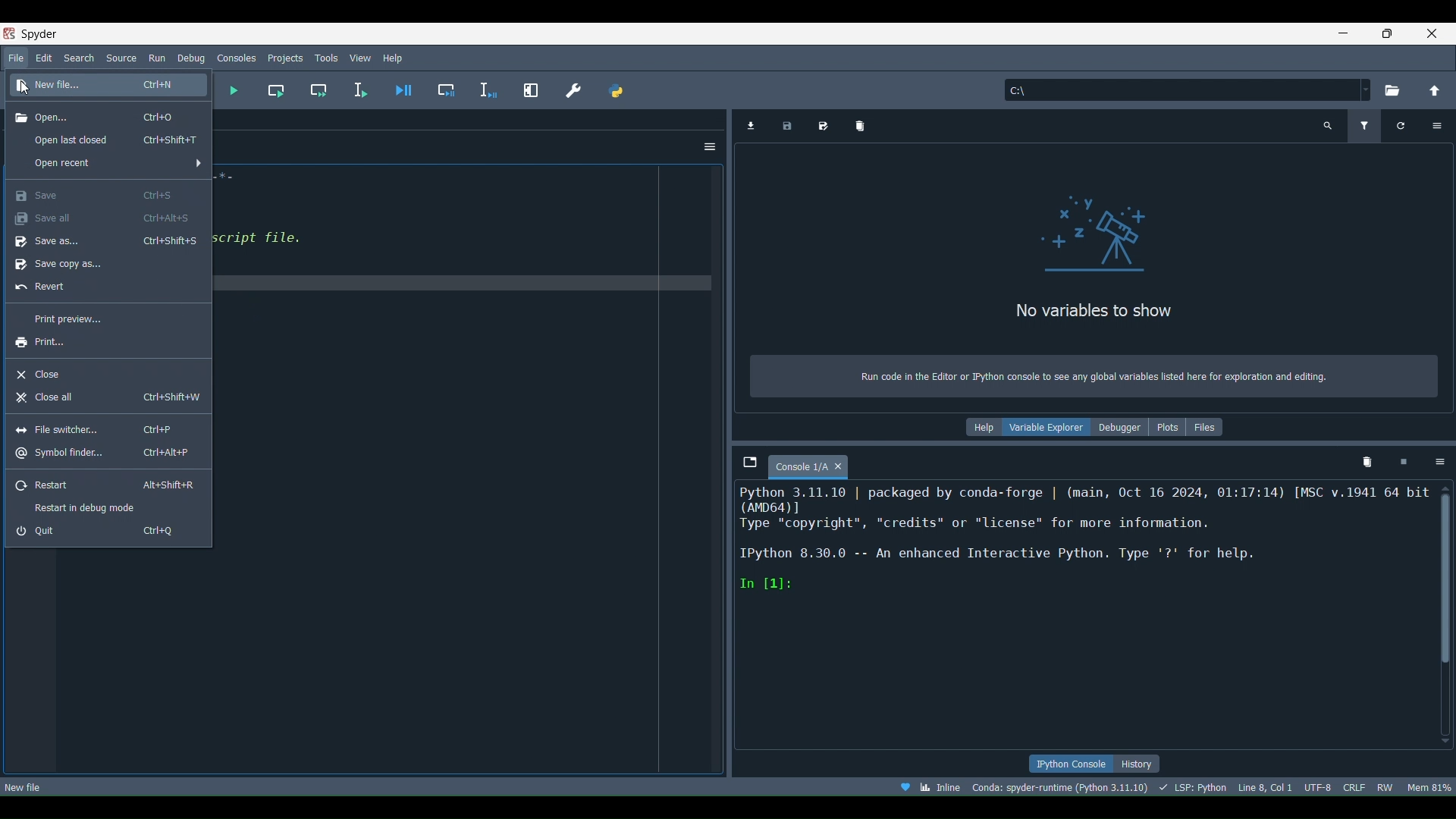 Image resolution: width=1456 pixels, height=819 pixels. Describe the element at coordinates (1404, 461) in the screenshot. I see `Interrupt kernel` at that location.